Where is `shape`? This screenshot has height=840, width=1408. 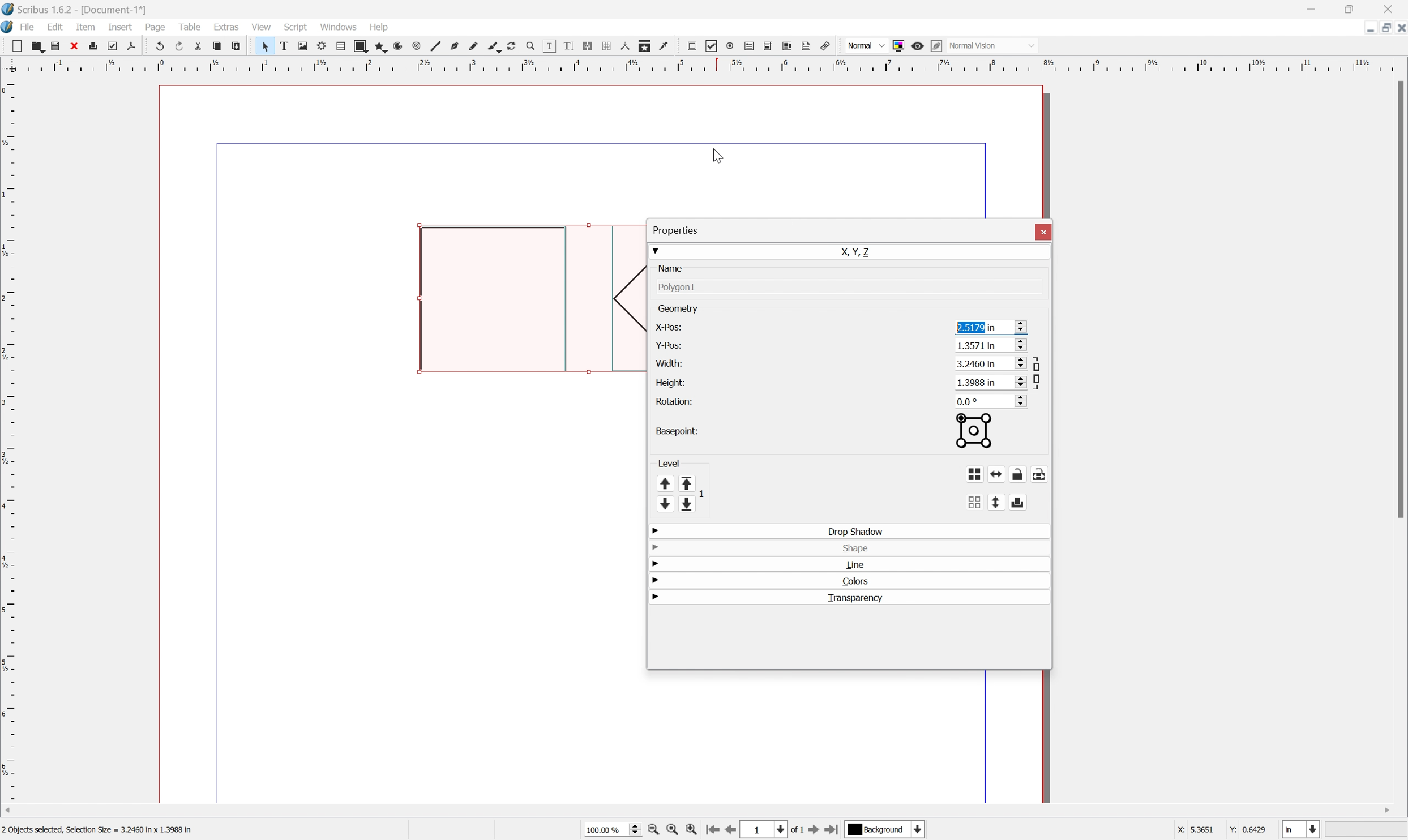 shape is located at coordinates (359, 46).